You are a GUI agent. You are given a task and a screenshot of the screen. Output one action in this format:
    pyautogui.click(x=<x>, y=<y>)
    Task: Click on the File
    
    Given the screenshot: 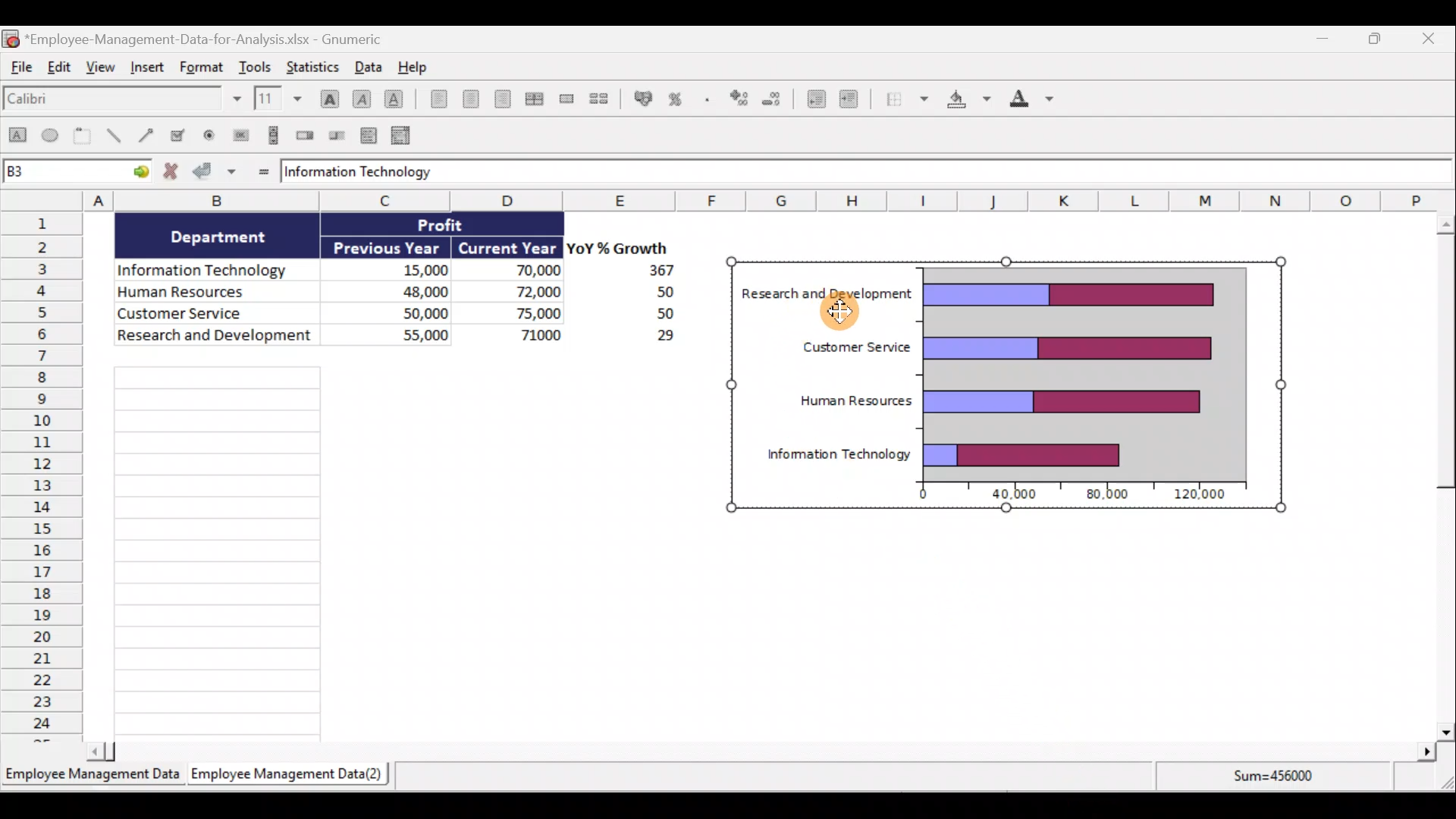 What is the action you would take?
    pyautogui.click(x=20, y=67)
    